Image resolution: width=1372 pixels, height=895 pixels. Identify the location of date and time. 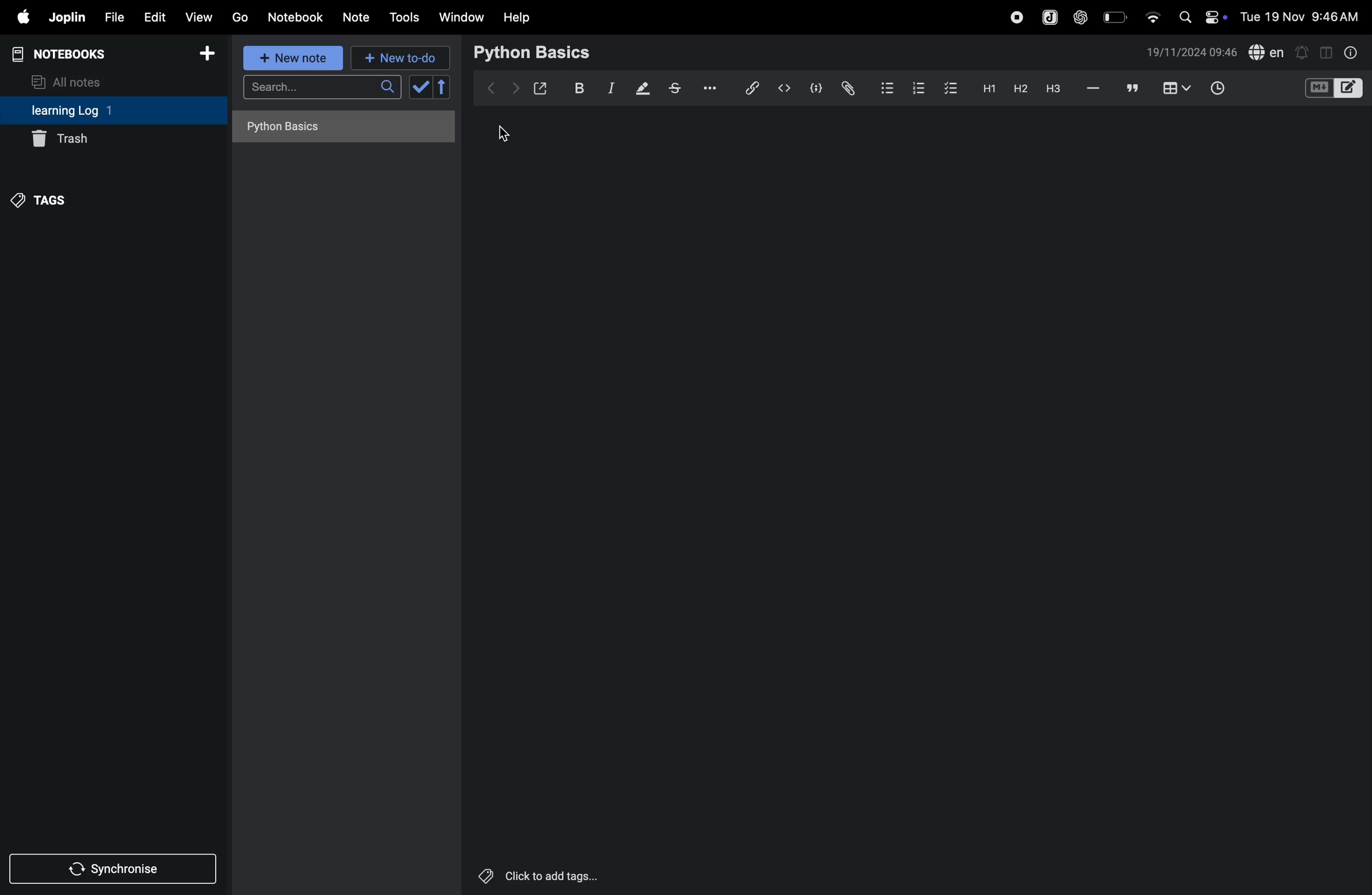
(1192, 52).